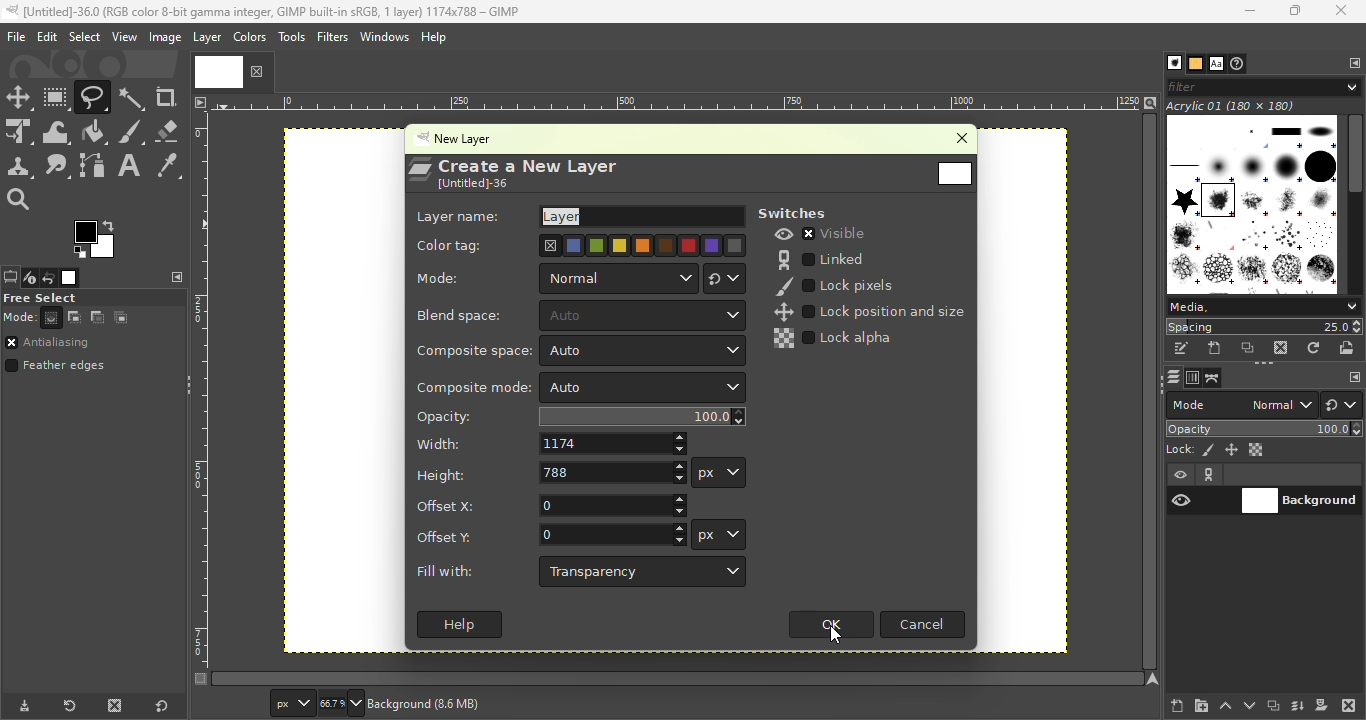  Describe the element at coordinates (1150, 101) in the screenshot. I see `Zoom image` at that location.